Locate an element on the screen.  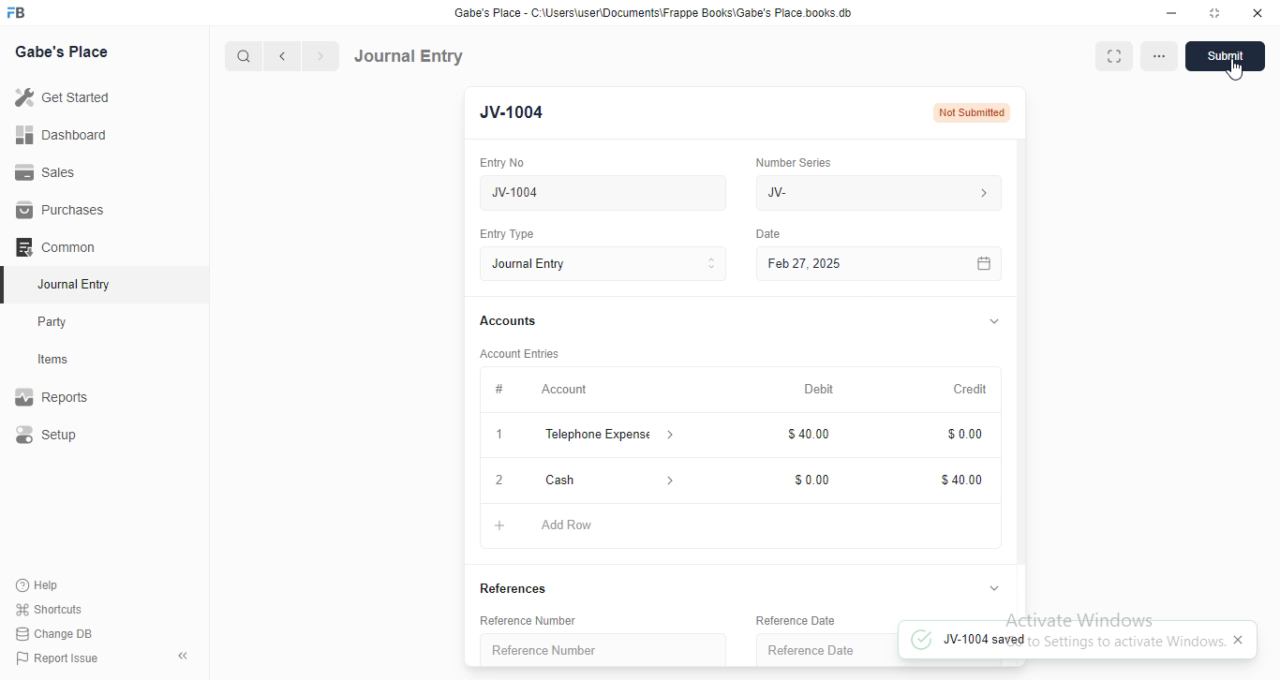
Previous is located at coordinates (283, 57).